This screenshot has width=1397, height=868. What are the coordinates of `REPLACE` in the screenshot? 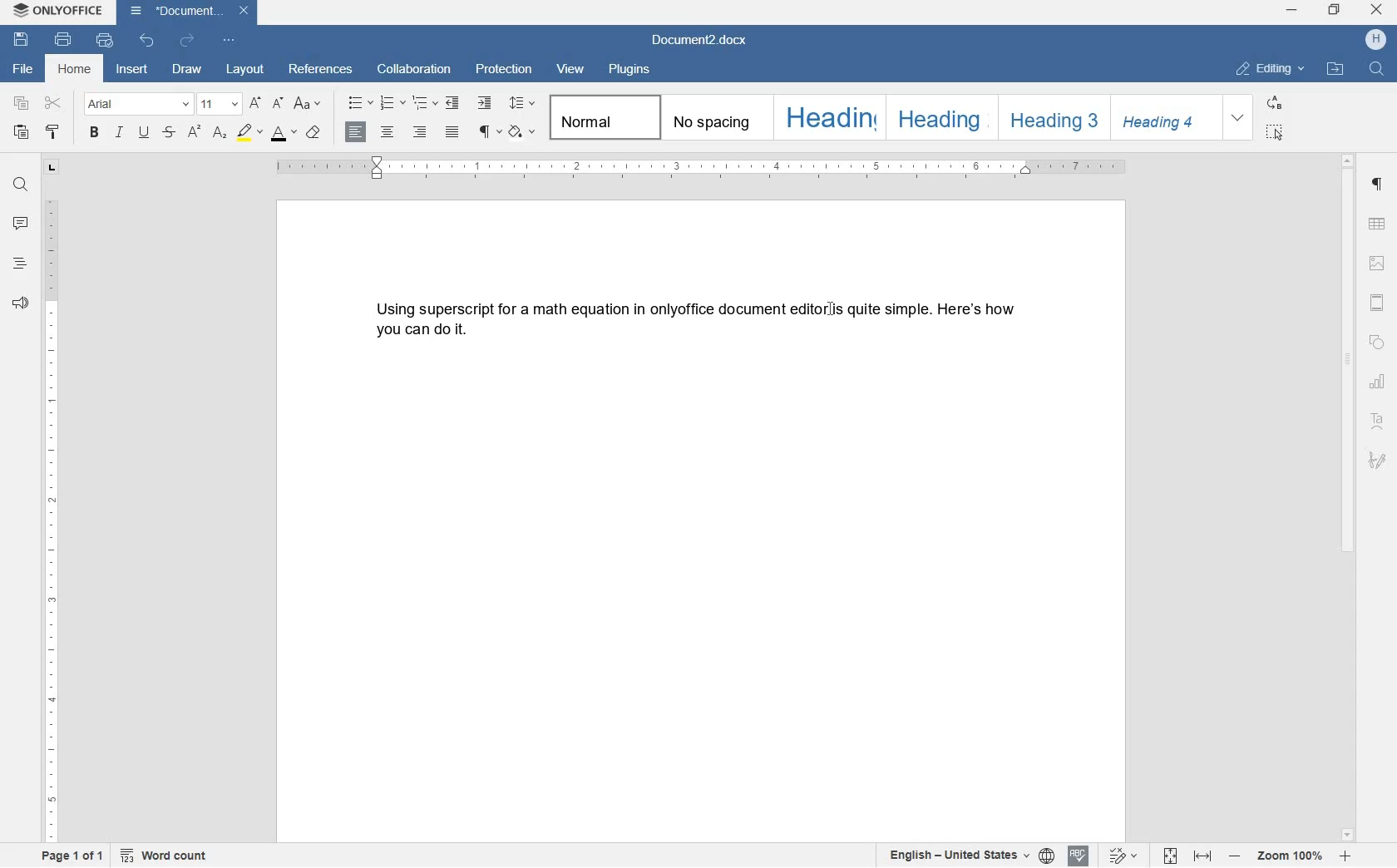 It's located at (1275, 104).